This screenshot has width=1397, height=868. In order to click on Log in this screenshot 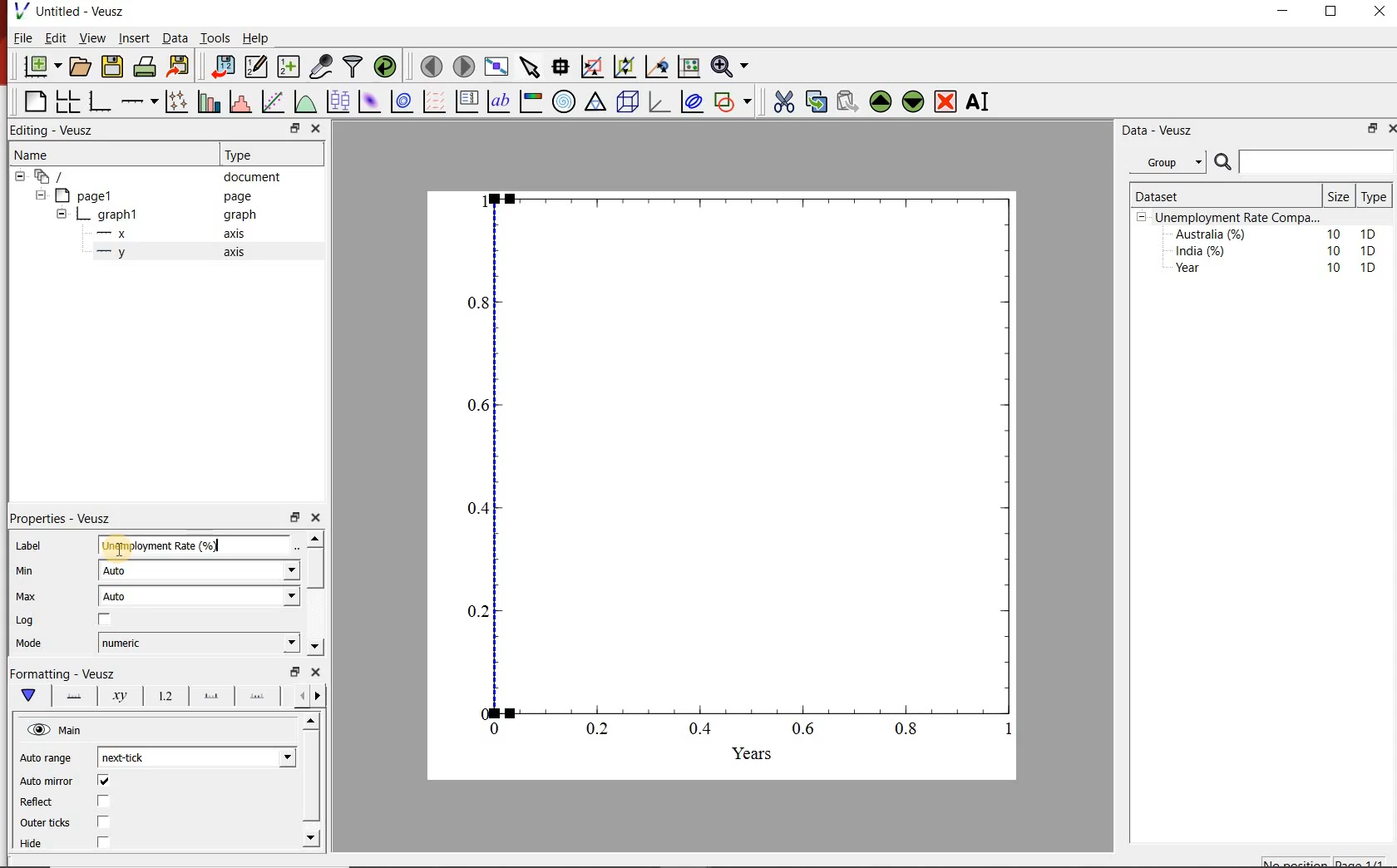, I will do `click(31, 622)`.